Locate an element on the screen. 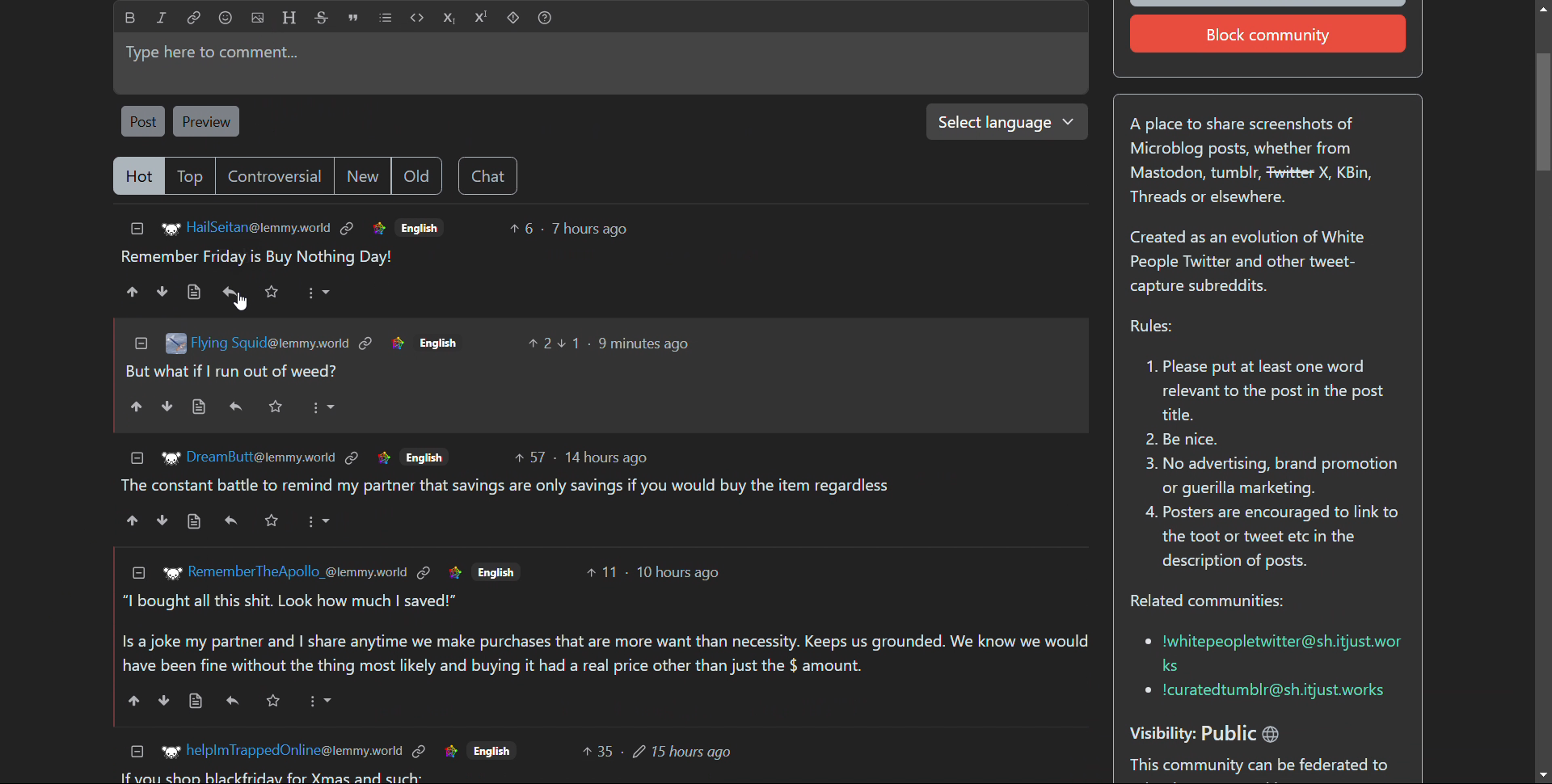 Image resolution: width=1552 pixels, height=784 pixels. downvote is located at coordinates (161, 521).